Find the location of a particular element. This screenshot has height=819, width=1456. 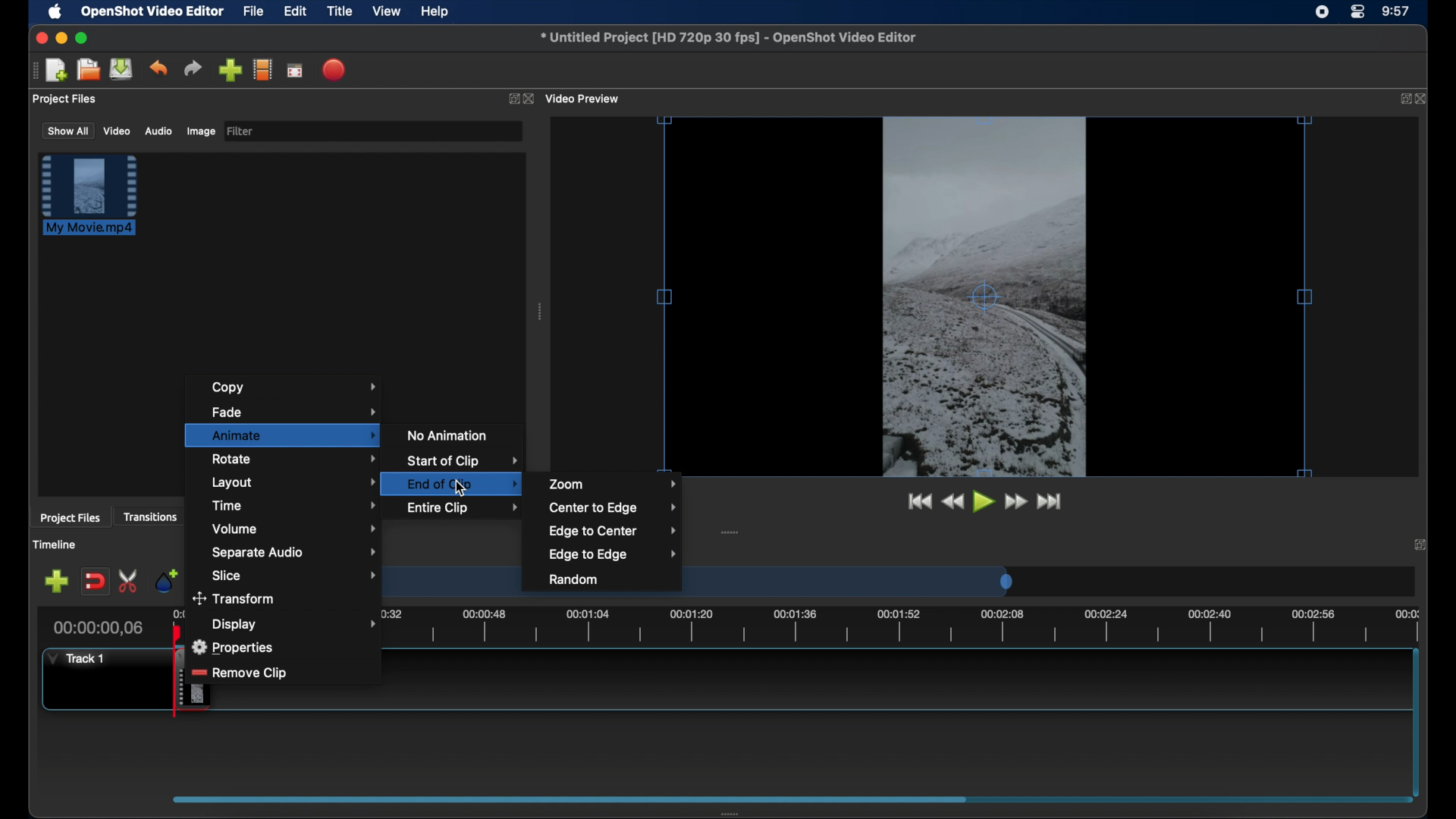

remove clip is located at coordinates (253, 672).